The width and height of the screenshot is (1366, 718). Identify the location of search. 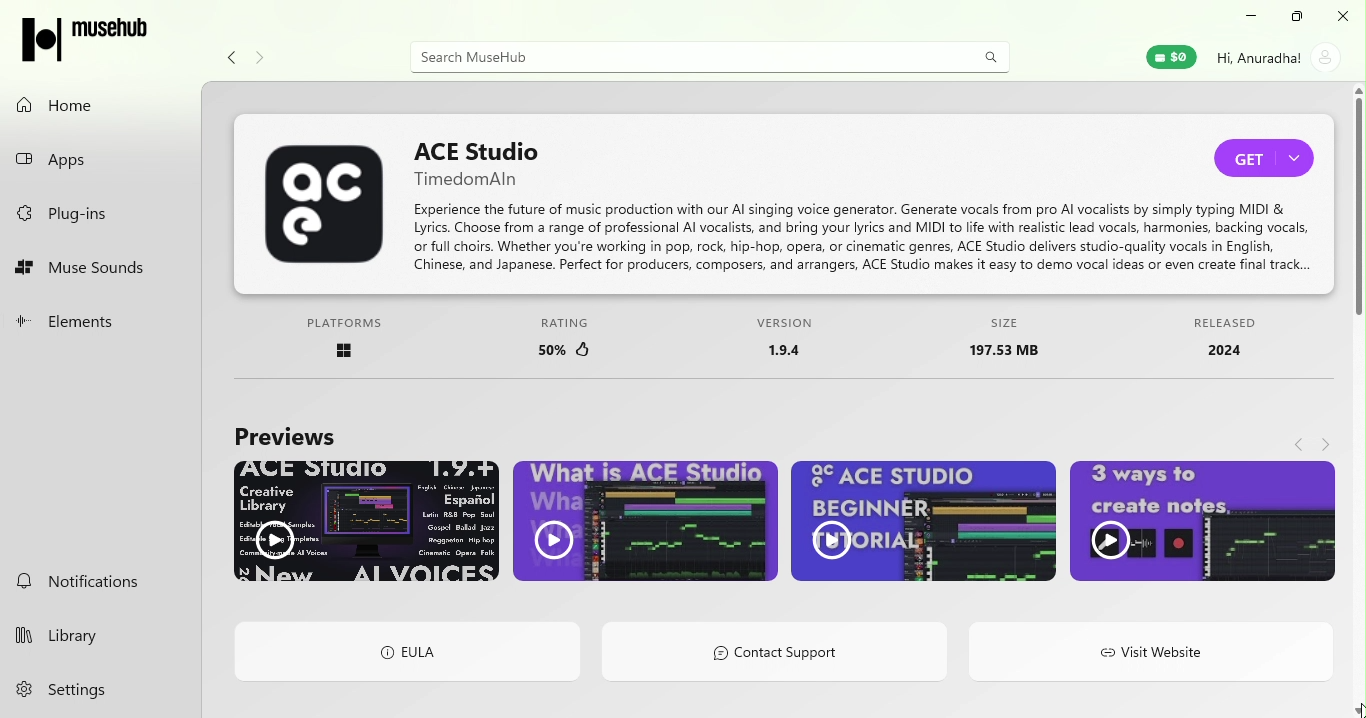
(987, 56).